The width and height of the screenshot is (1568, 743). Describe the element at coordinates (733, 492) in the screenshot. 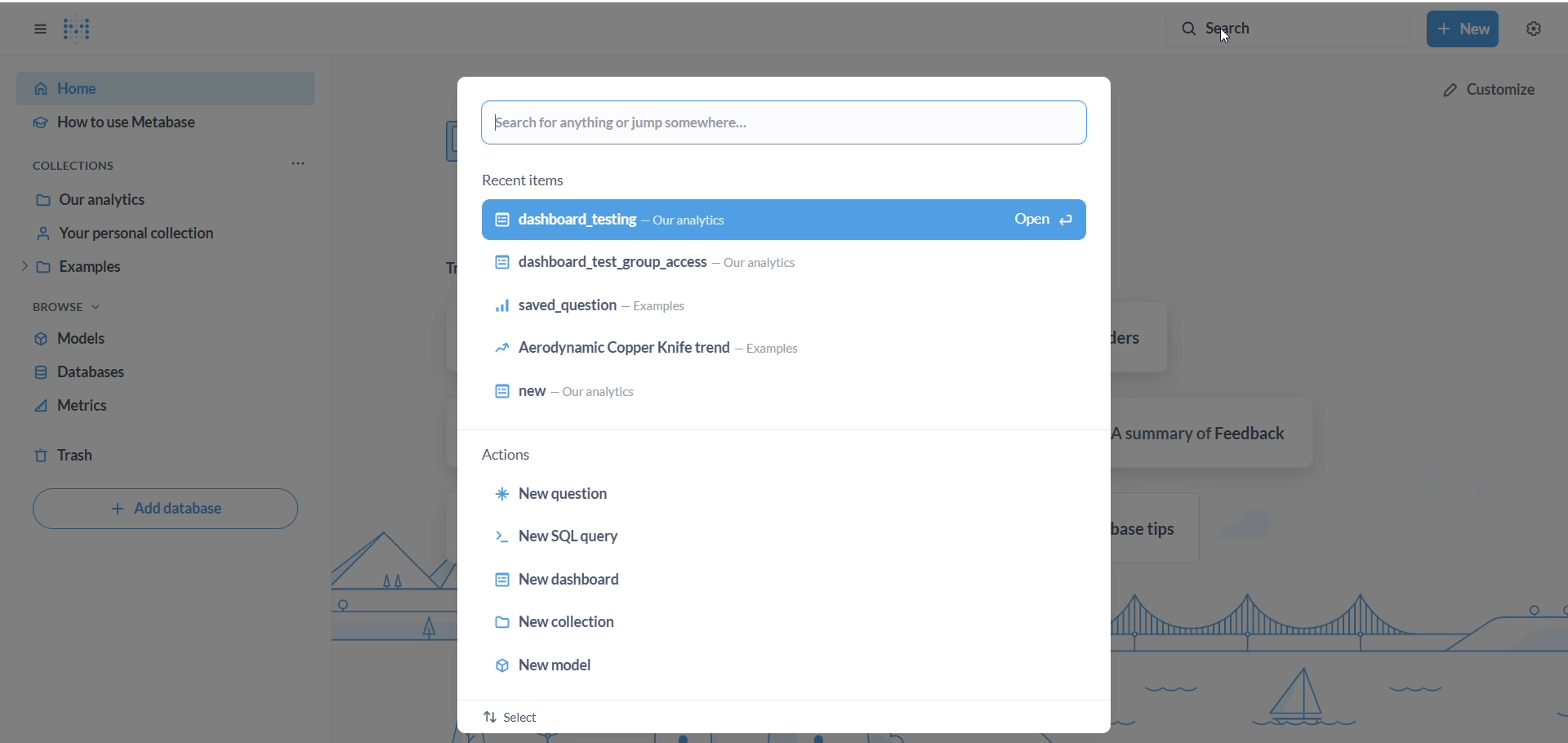

I see `new question` at that location.